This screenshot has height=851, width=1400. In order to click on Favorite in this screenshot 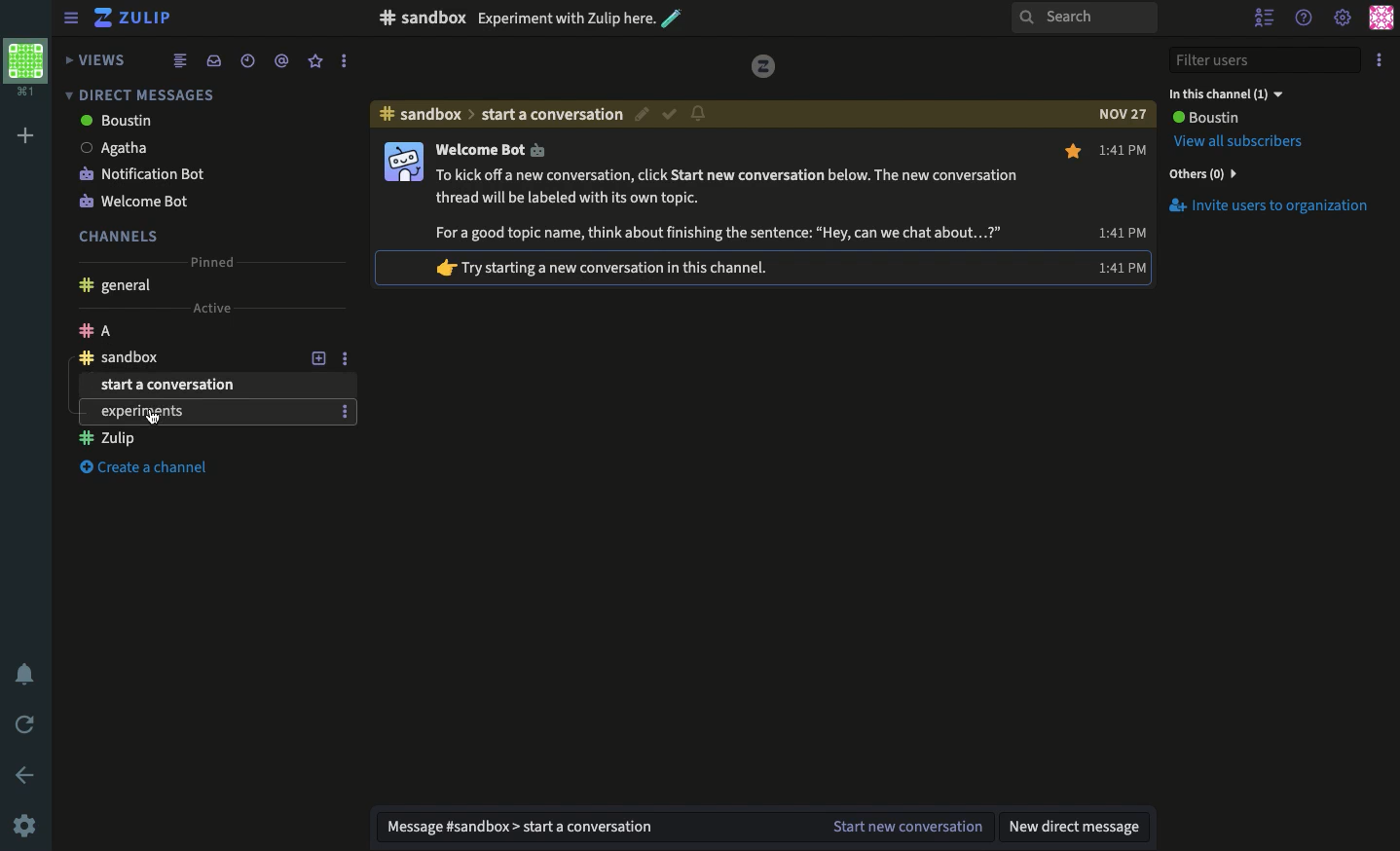, I will do `click(316, 60)`.